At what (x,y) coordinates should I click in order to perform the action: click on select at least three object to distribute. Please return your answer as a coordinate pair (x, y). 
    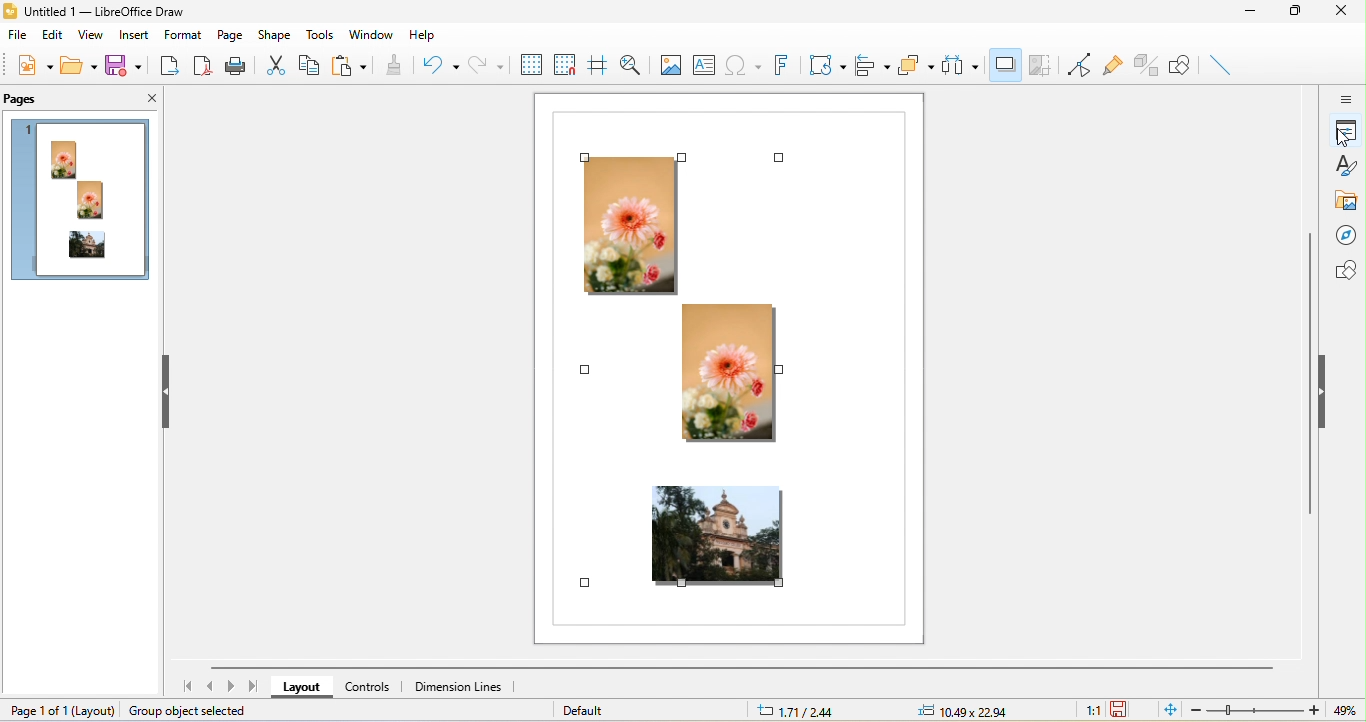
    Looking at the image, I should click on (963, 65).